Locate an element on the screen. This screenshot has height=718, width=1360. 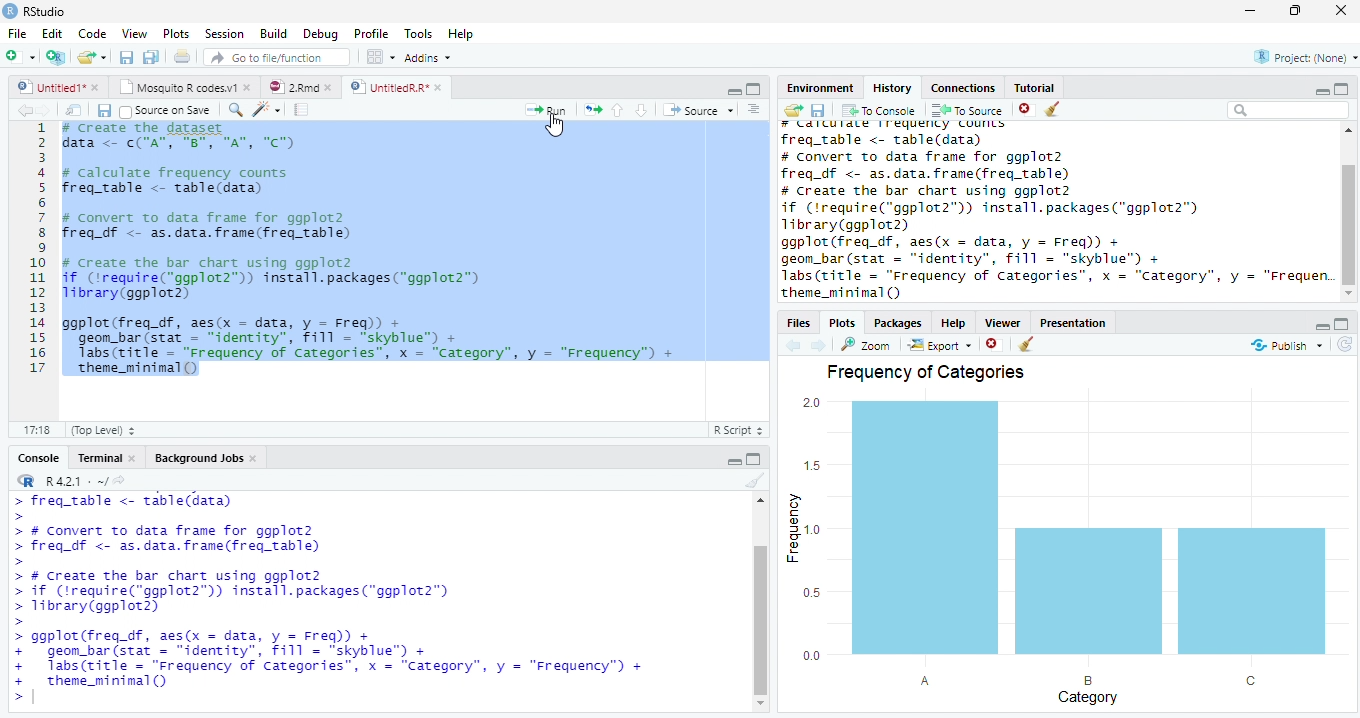
Terminal is located at coordinates (107, 457).